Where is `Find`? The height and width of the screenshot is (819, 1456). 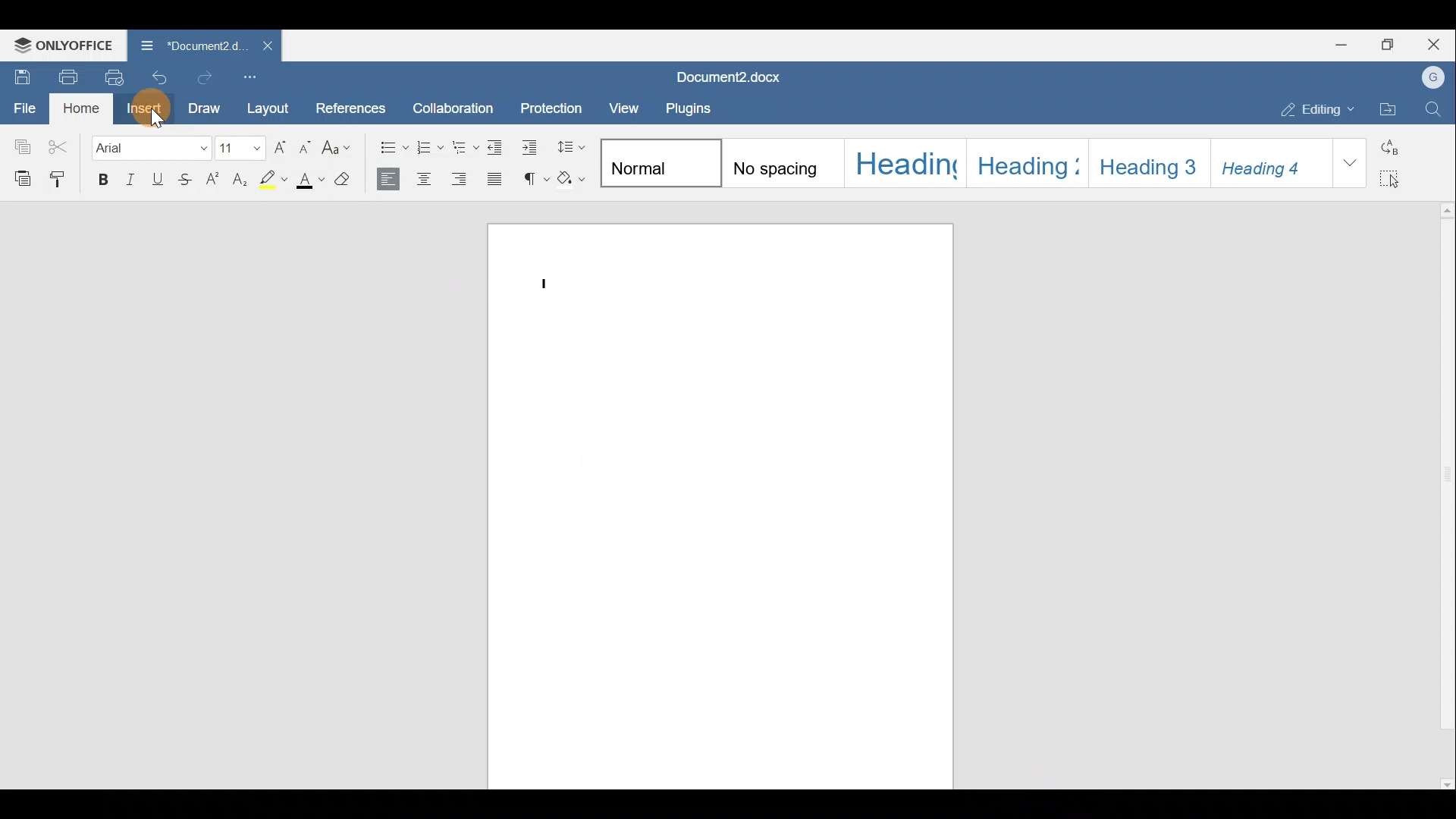
Find is located at coordinates (1436, 106).